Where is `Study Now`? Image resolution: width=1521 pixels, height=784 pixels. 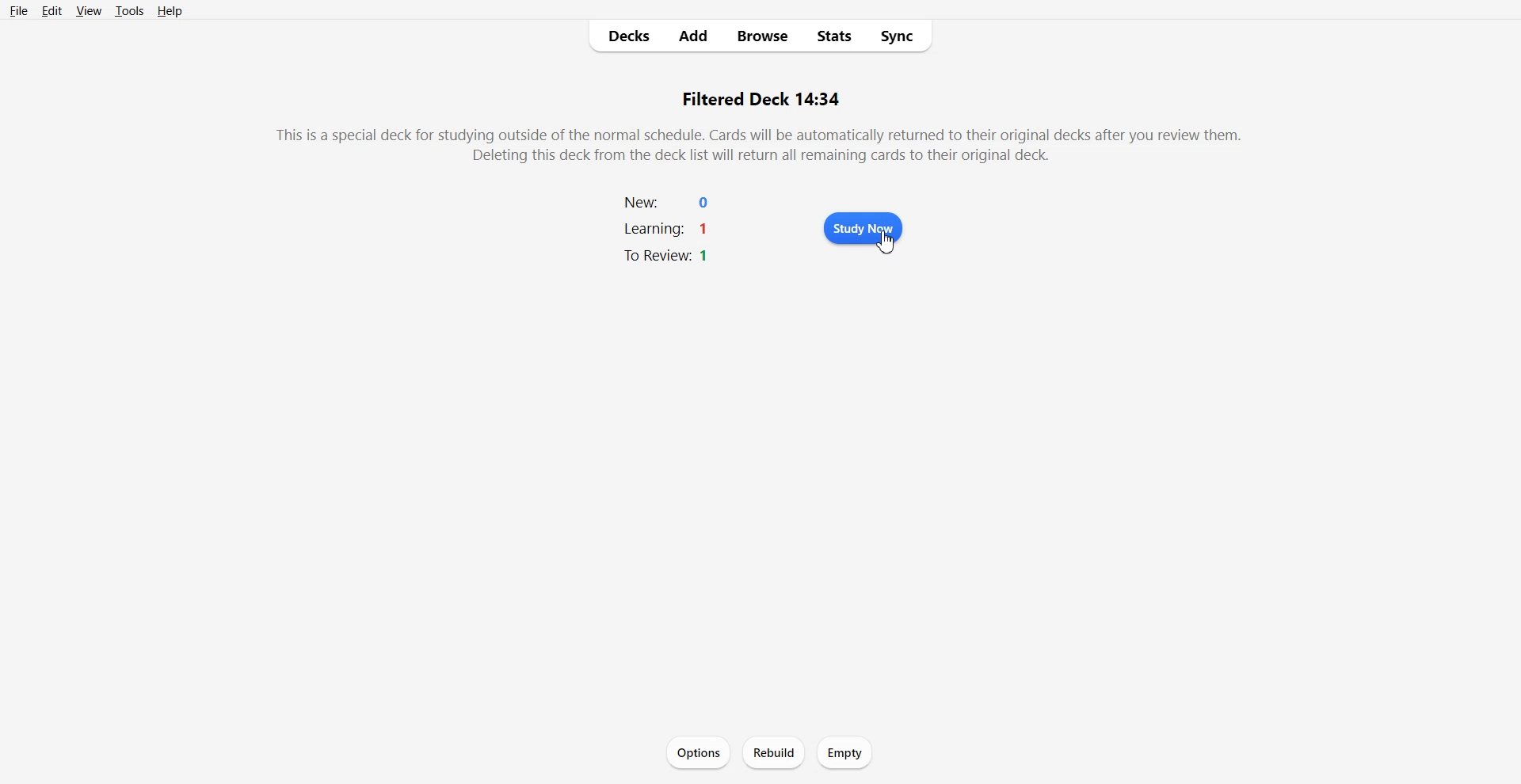
Study Now is located at coordinates (865, 227).